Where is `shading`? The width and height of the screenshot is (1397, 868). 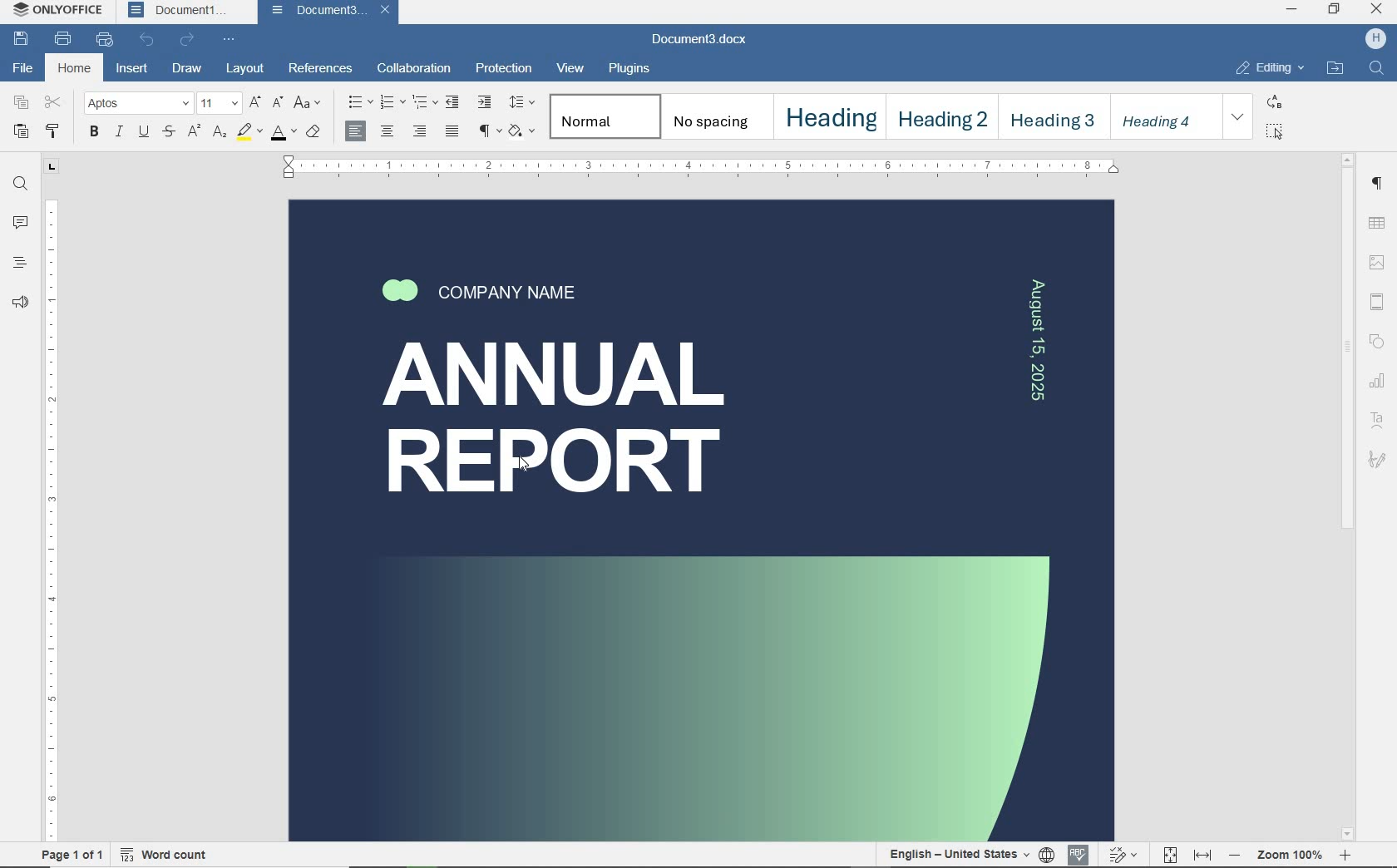
shading is located at coordinates (521, 131).